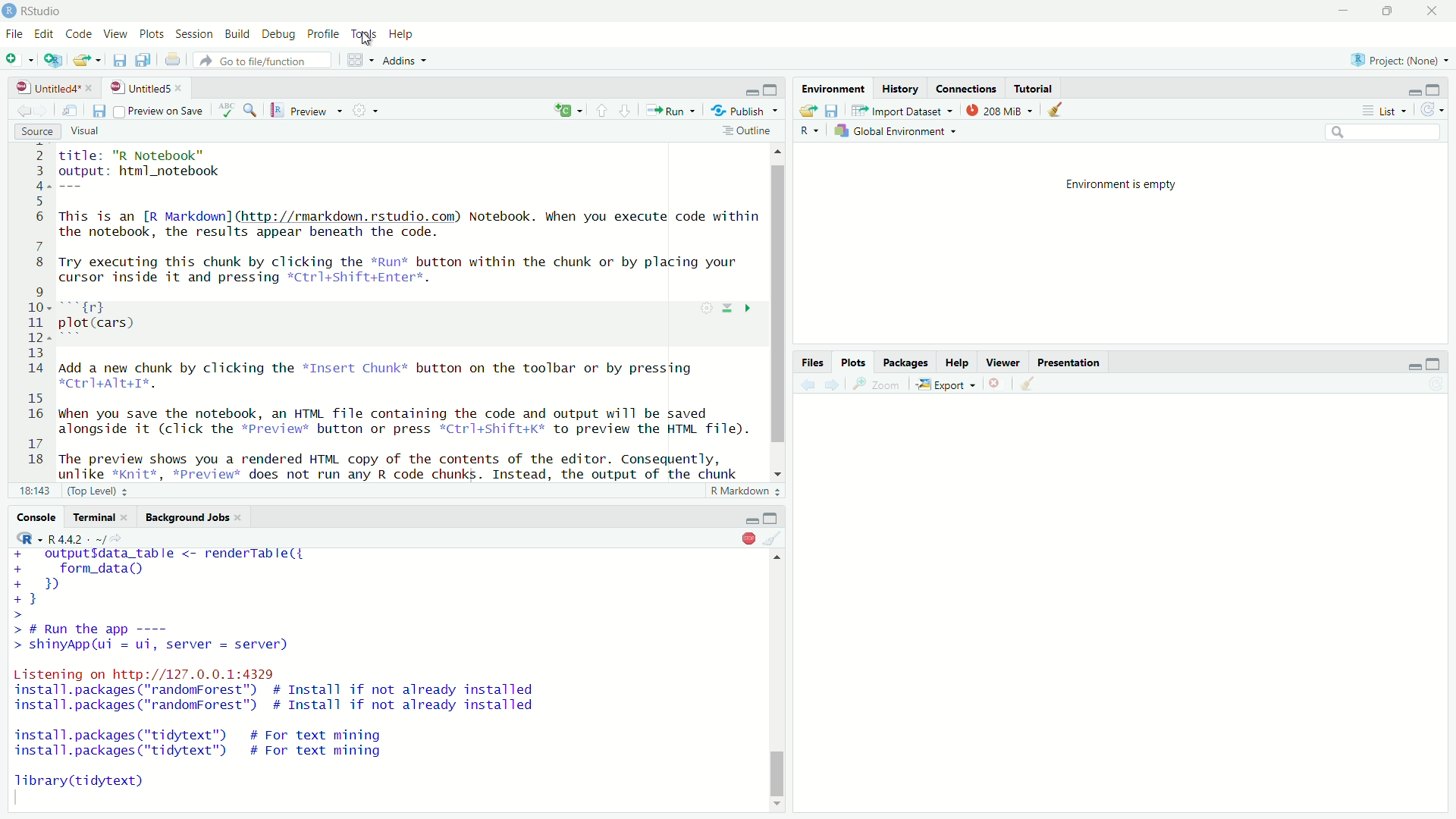 This screenshot has width=1456, height=819. Describe the element at coordinates (114, 35) in the screenshot. I see `View` at that location.